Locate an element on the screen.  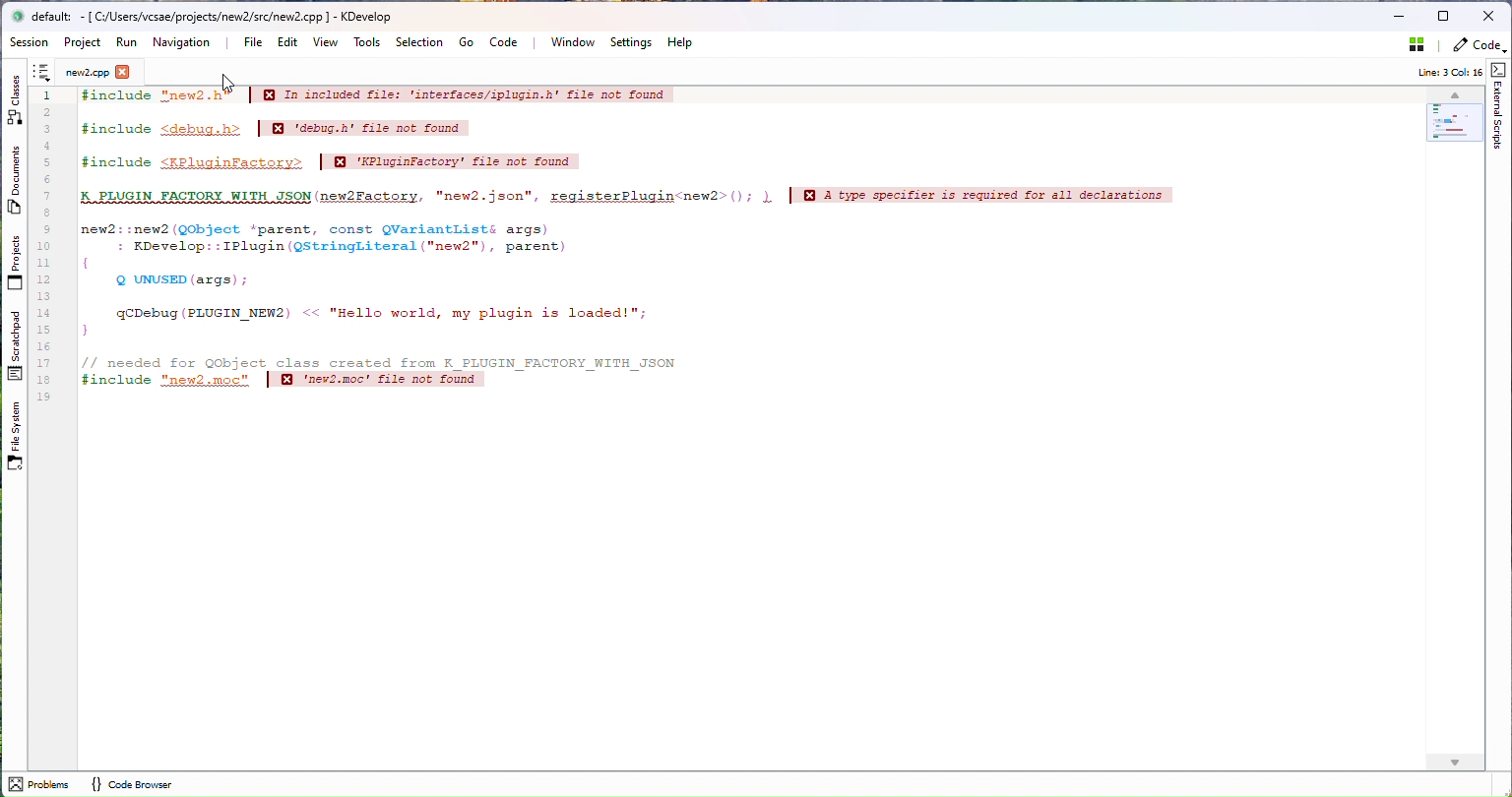
Code is located at coordinates (1480, 48).